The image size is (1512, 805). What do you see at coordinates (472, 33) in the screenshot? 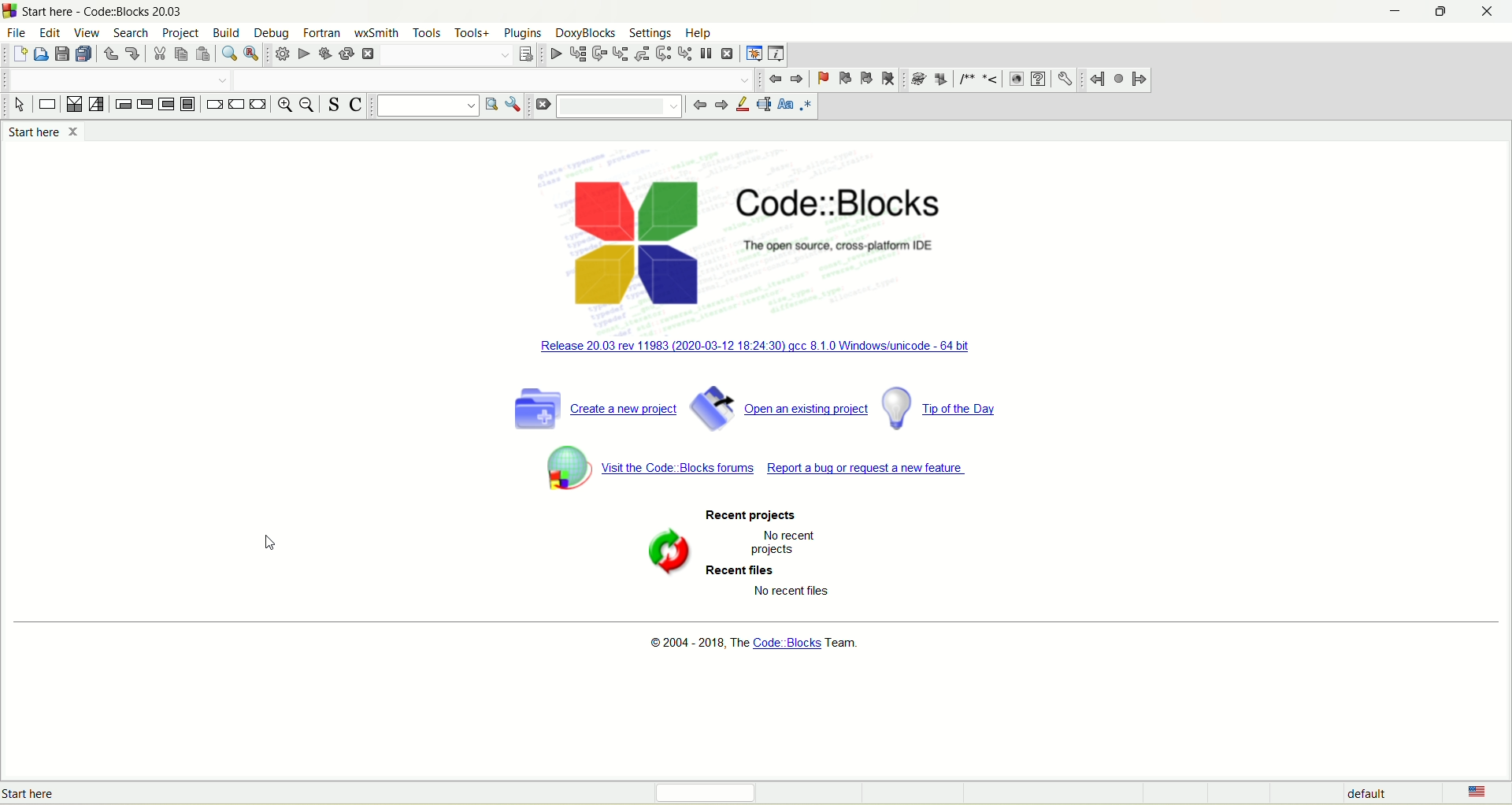
I see `tools+` at bounding box center [472, 33].